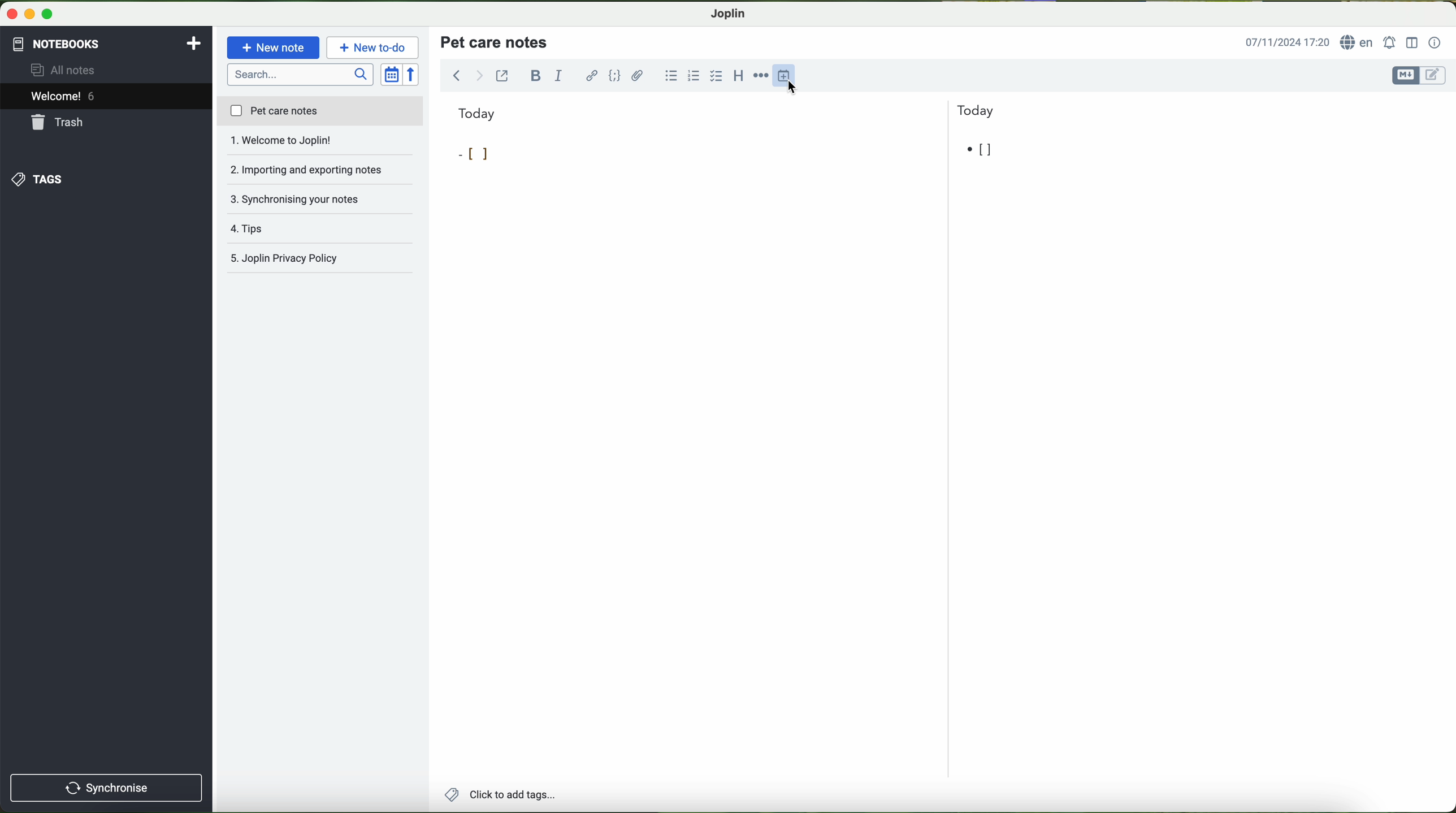 Image resolution: width=1456 pixels, height=813 pixels. What do you see at coordinates (194, 42) in the screenshot?
I see `add` at bounding box center [194, 42].